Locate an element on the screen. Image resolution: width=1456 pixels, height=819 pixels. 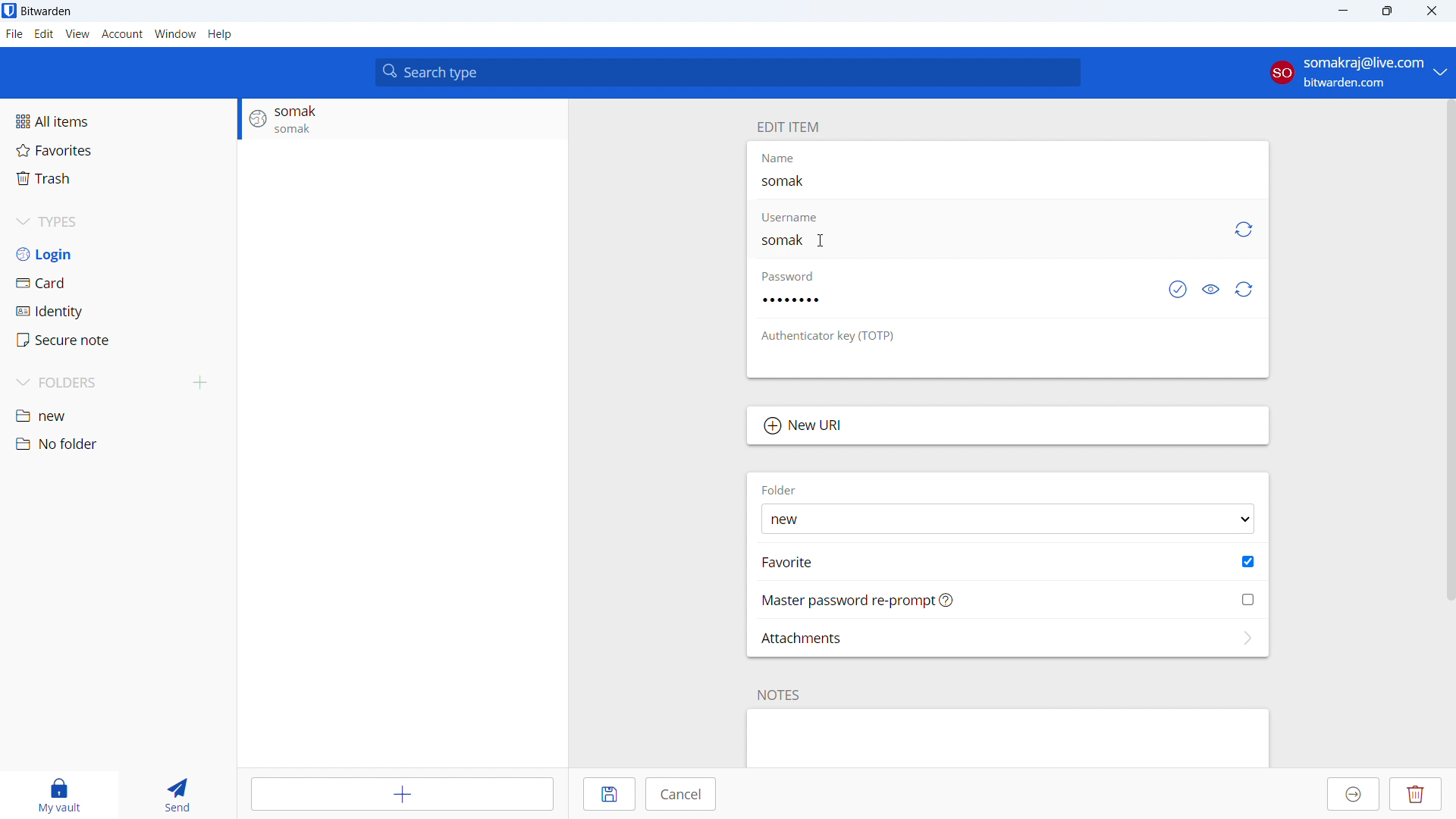
trash is located at coordinates (118, 178).